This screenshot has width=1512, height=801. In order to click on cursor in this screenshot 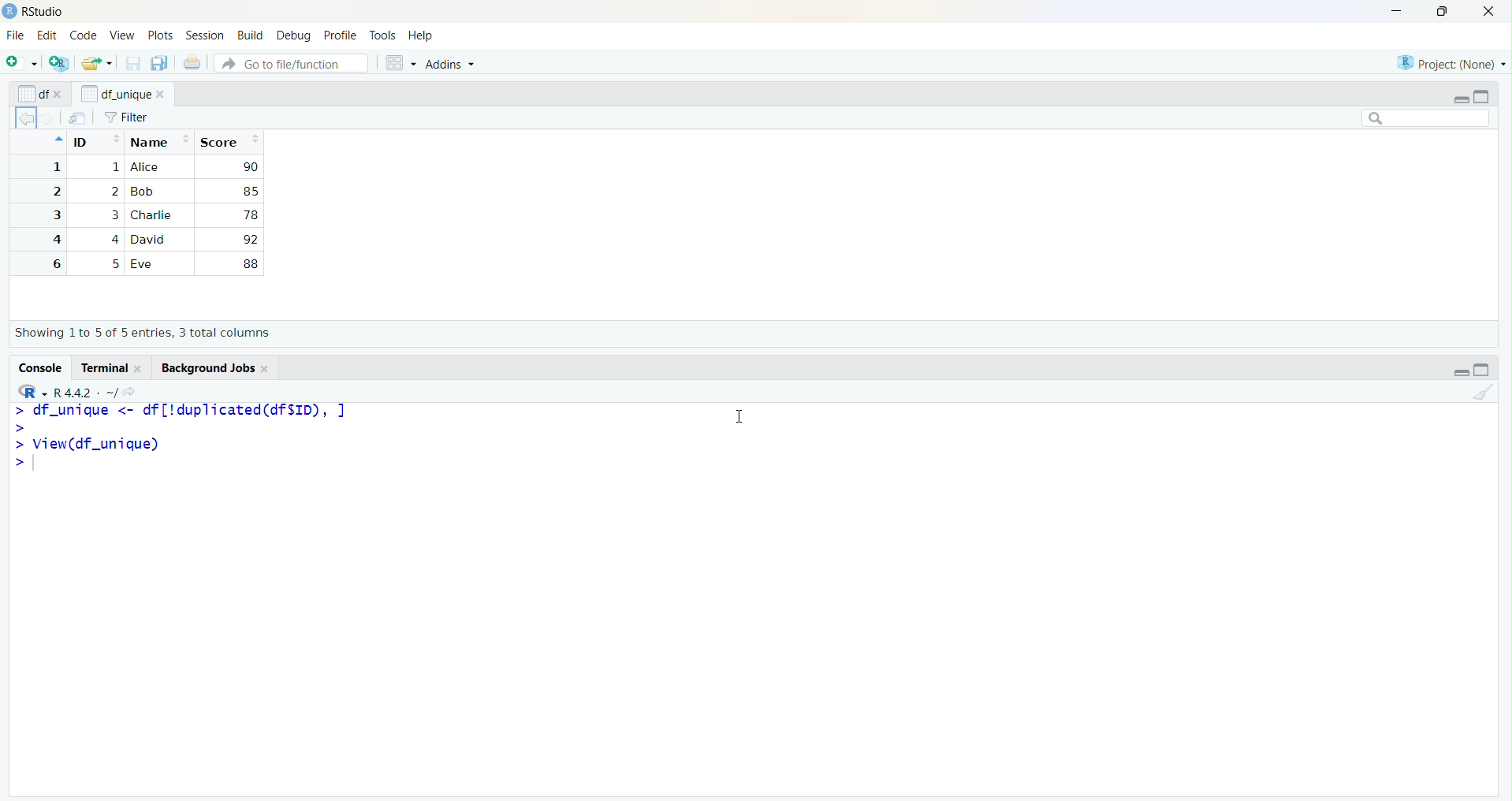, I will do `click(736, 418)`.